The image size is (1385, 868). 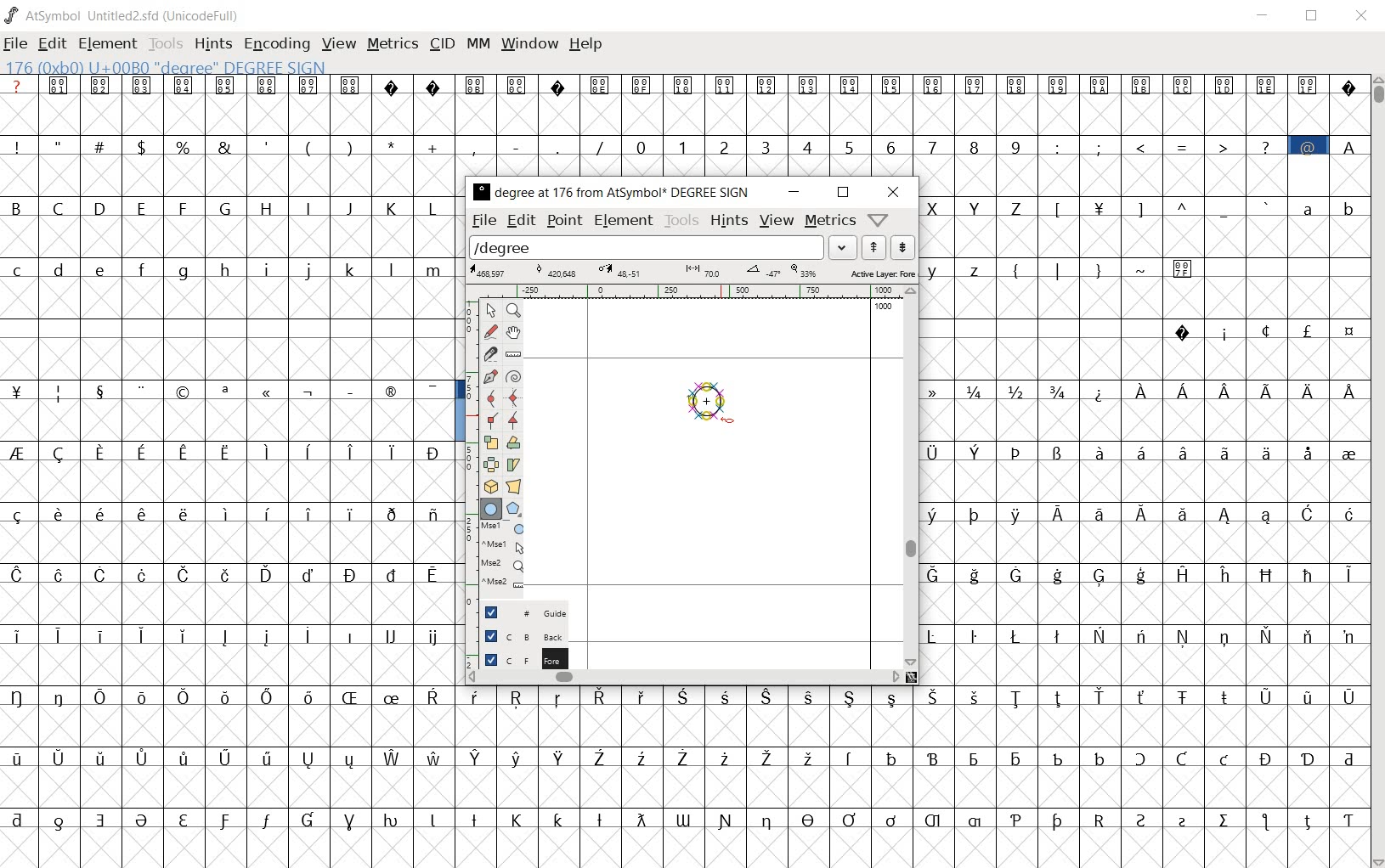 What do you see at coordinates (232, 449) in the screenshot?
I see `special letters` at bounding box center [232, 449].